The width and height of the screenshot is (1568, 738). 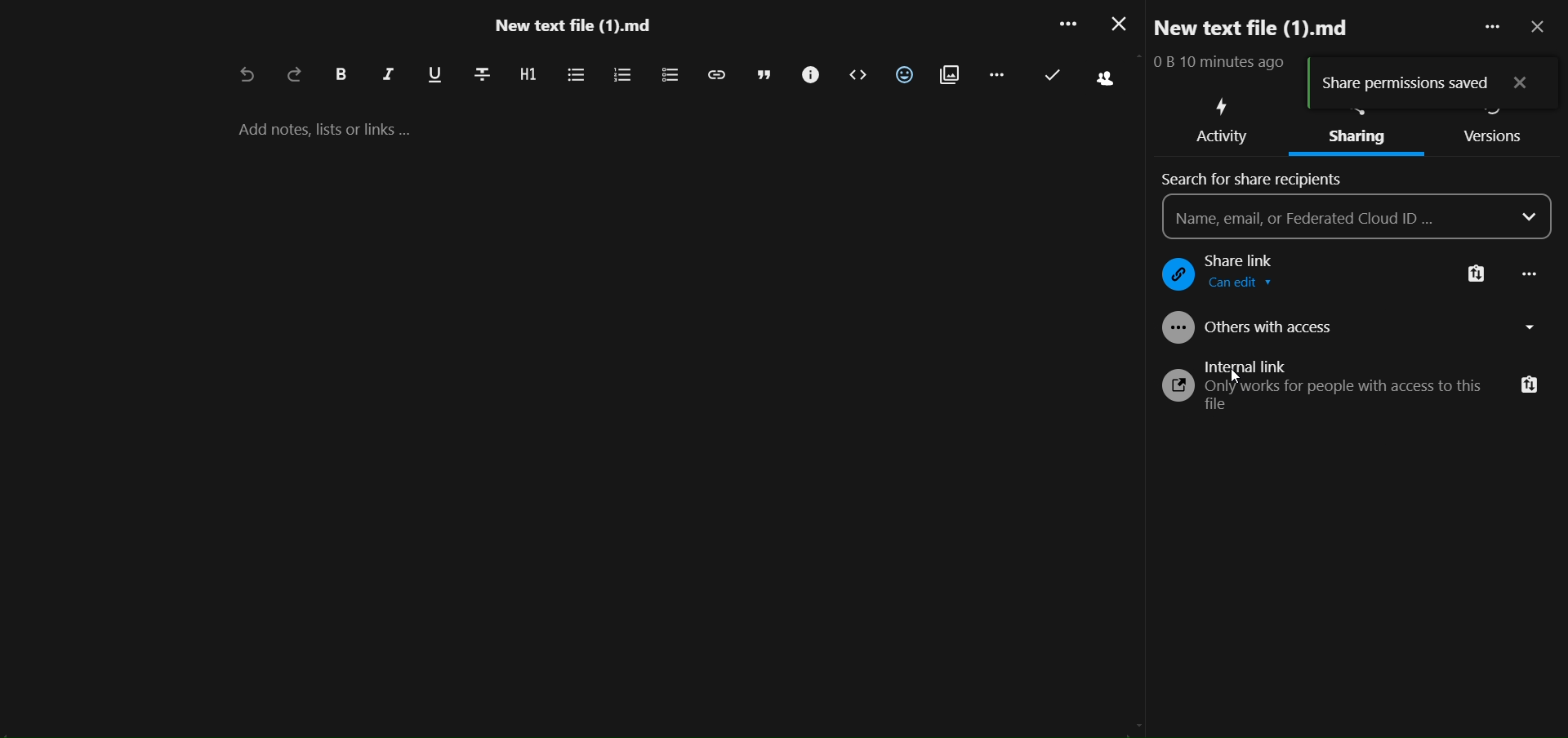 I want to click on call out , so click(x=808, y=75).